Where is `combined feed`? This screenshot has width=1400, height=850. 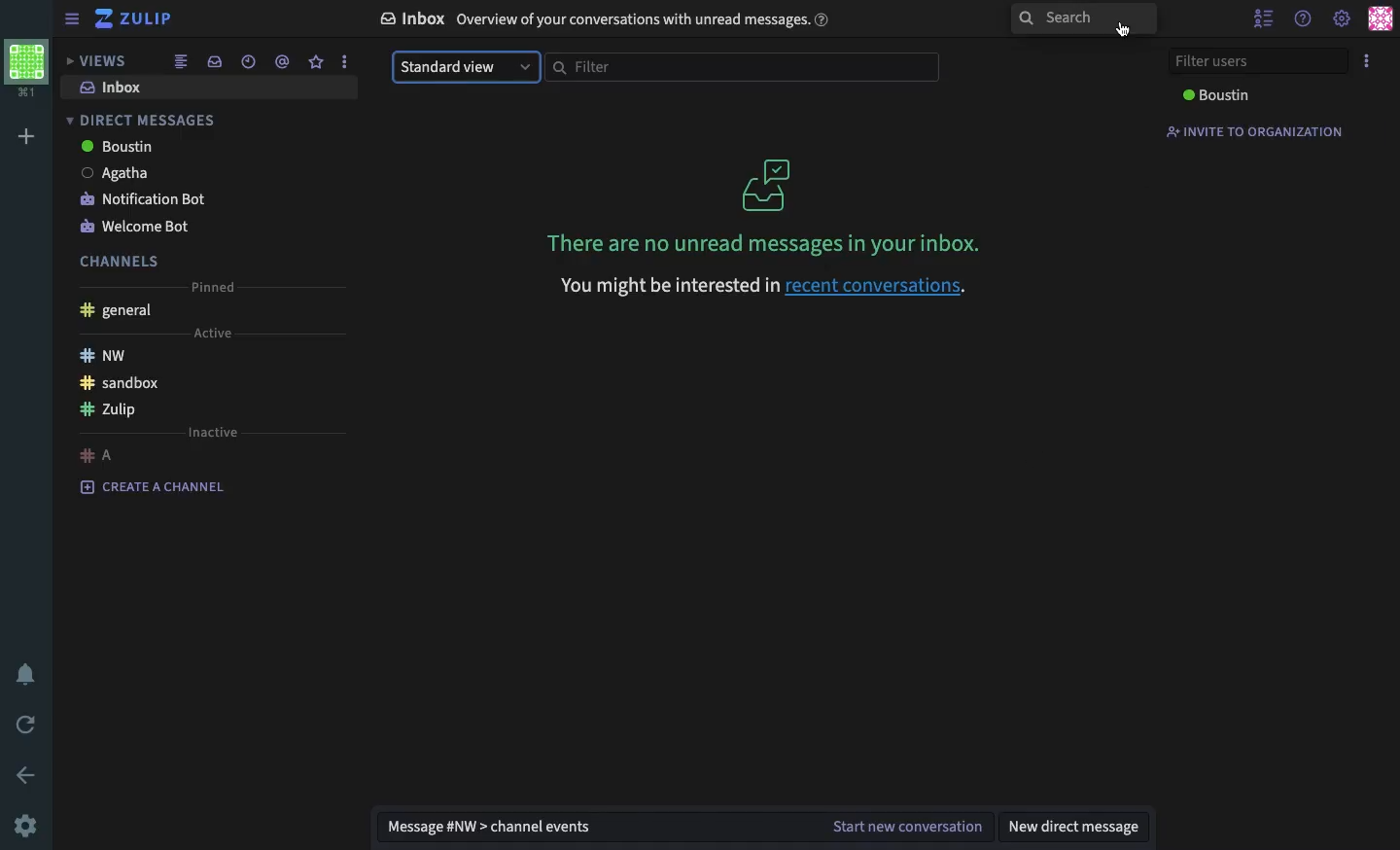 combined feed is located at coordinates (179, 60).